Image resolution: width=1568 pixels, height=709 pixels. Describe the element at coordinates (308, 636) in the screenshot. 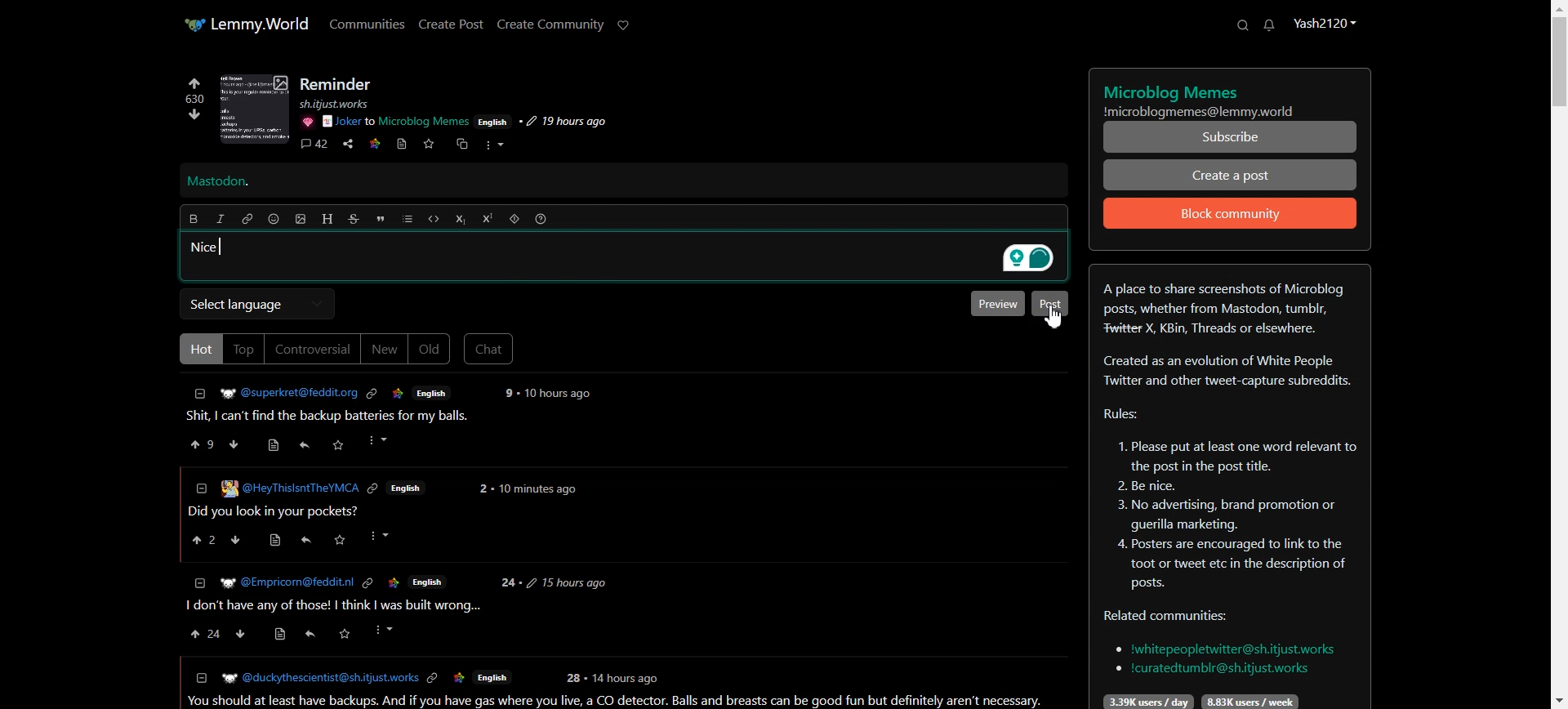

I see `` at that location.